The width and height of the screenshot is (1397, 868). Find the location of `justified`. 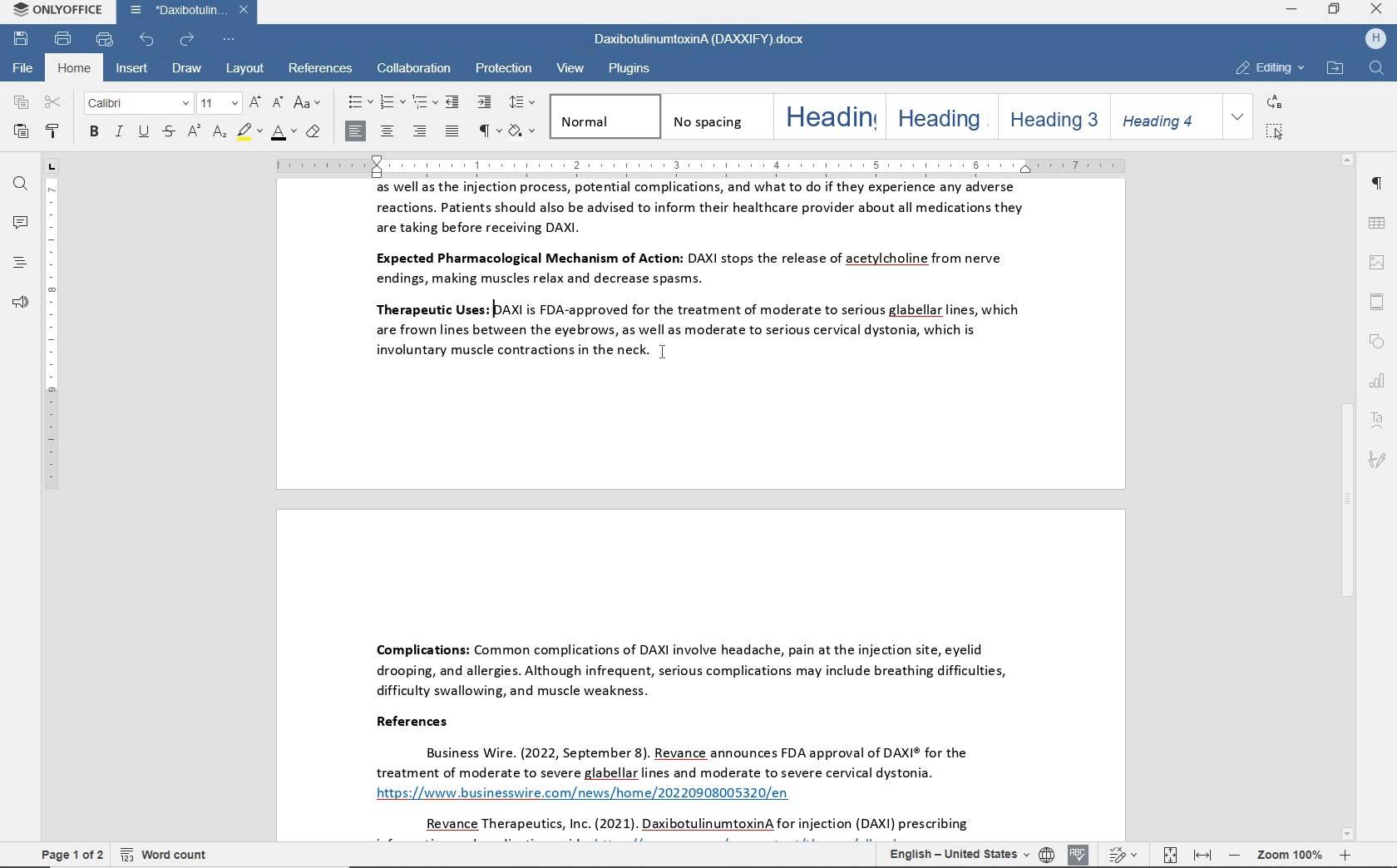

justified is located at coordinates (453, 132).